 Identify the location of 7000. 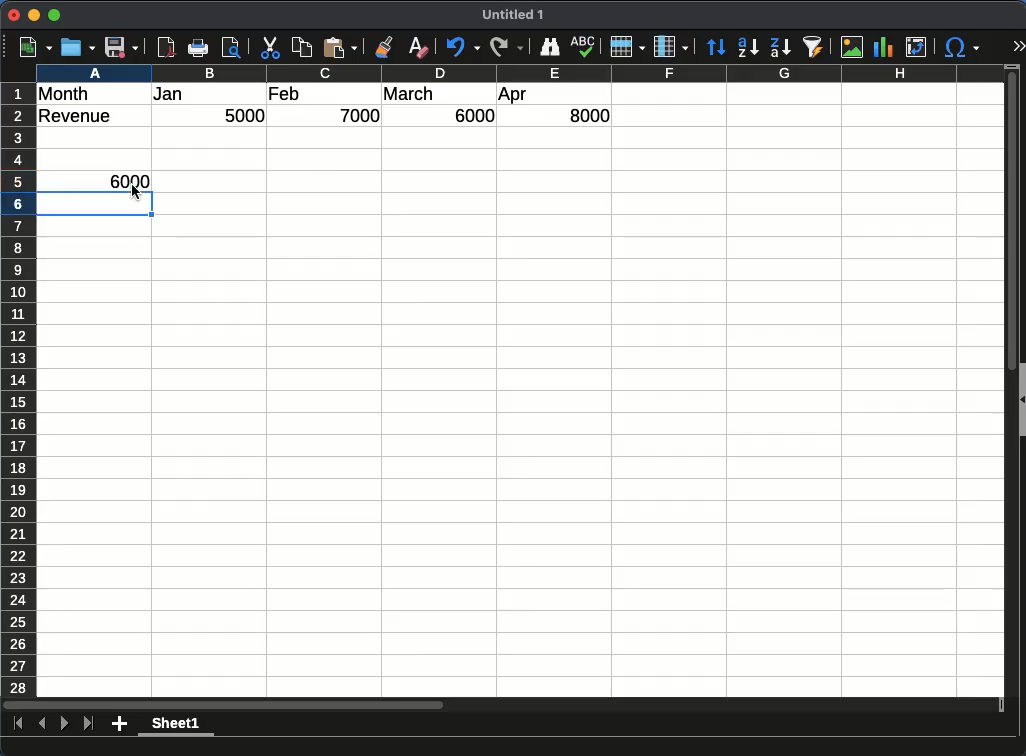
(360, 115).